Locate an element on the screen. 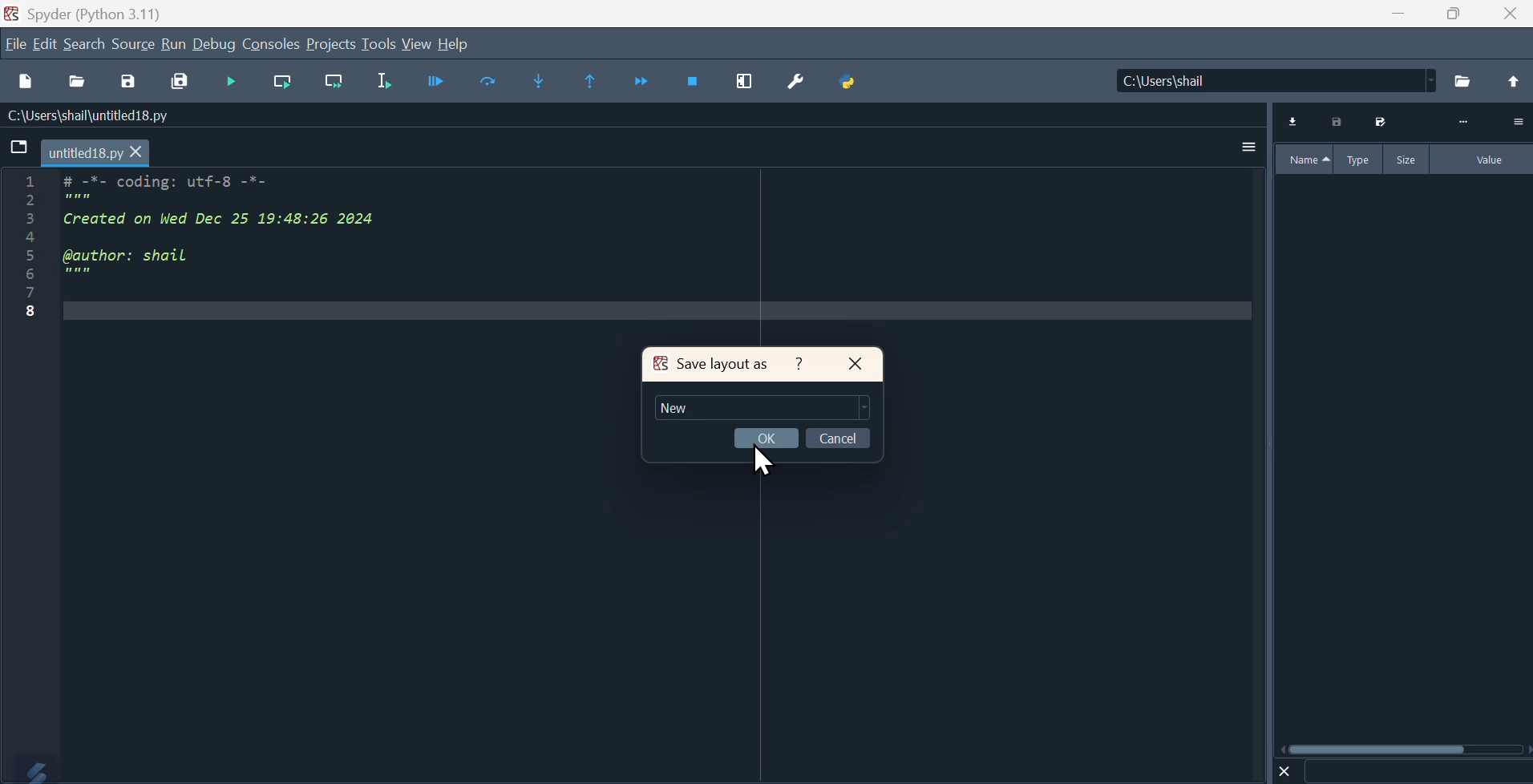 The image size is (1533, 784). Debug is located at coordinates (215, 43).